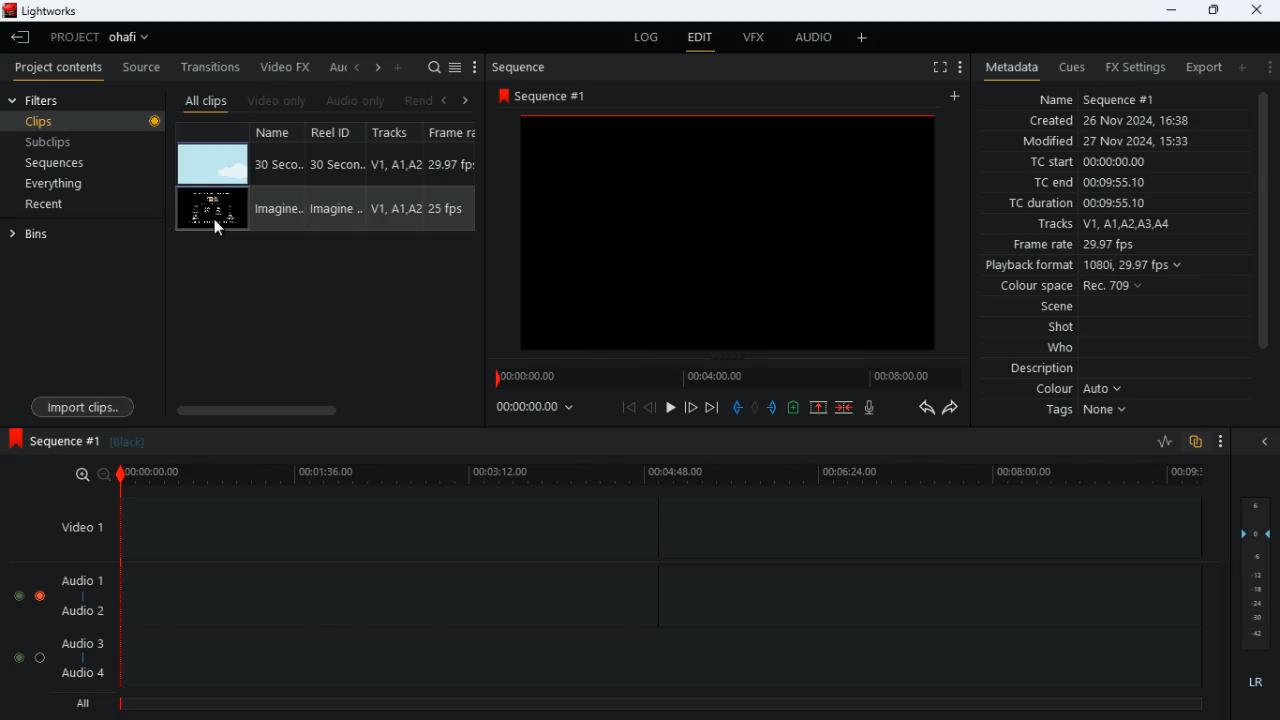 The image size is (1280, 720). What do you see at coordinates (1119, 122) in the screenshot?
I see `created` at bounding box center [1119, 122].